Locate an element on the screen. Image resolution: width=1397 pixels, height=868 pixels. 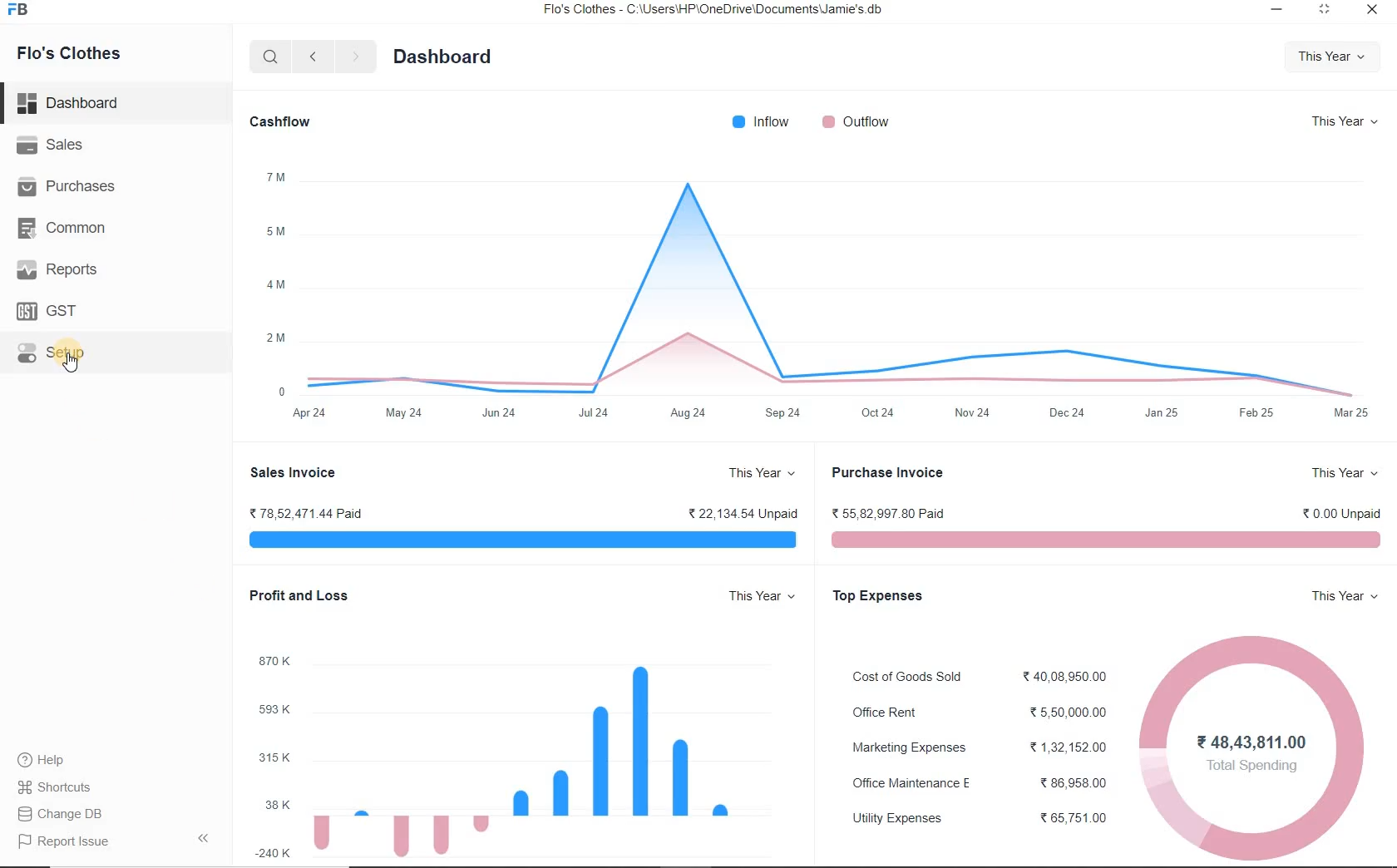
graph is located at coordinates (521, 759).